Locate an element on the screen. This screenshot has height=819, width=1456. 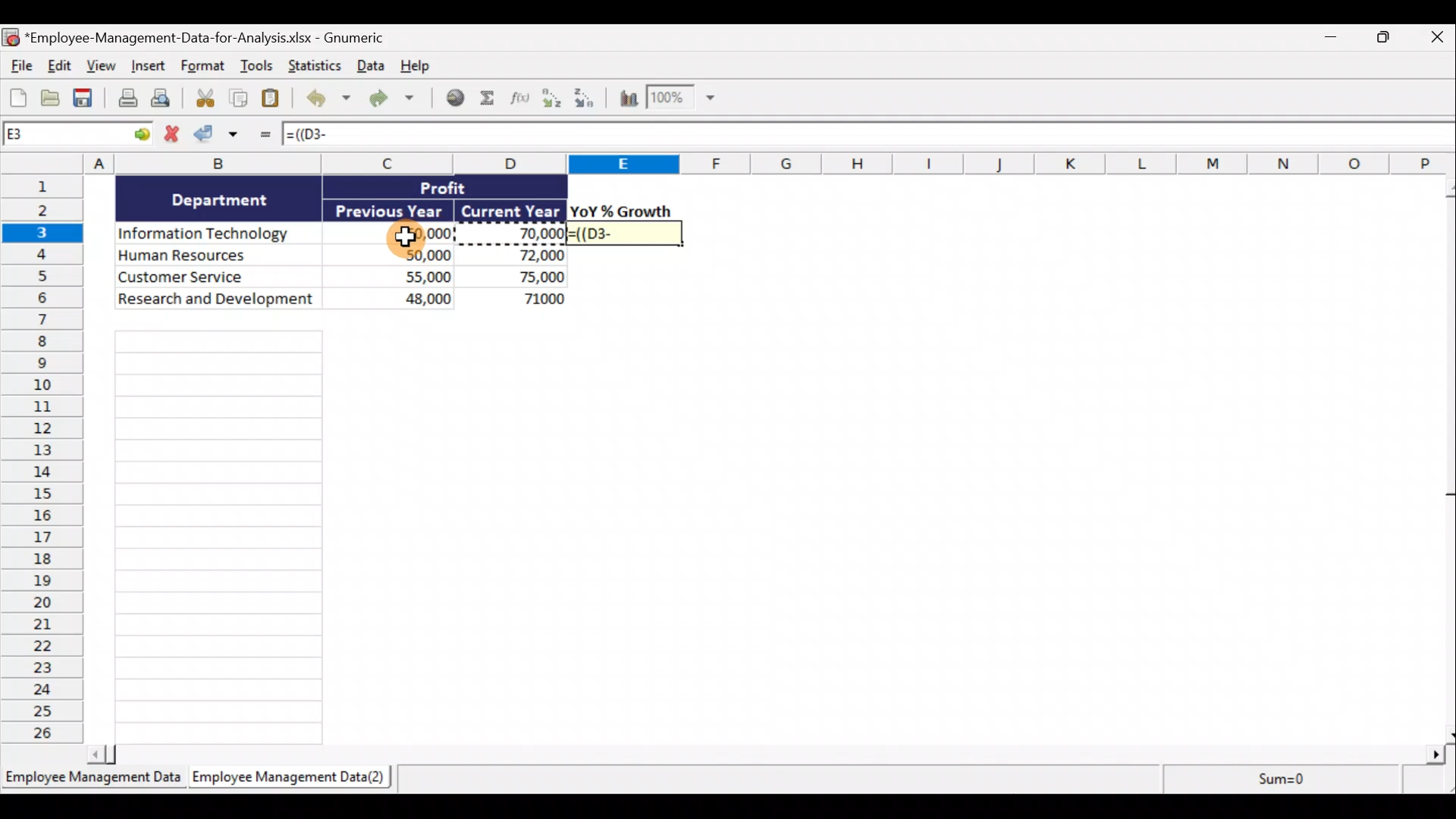
=((D3- is located at coordinates (319, 134).